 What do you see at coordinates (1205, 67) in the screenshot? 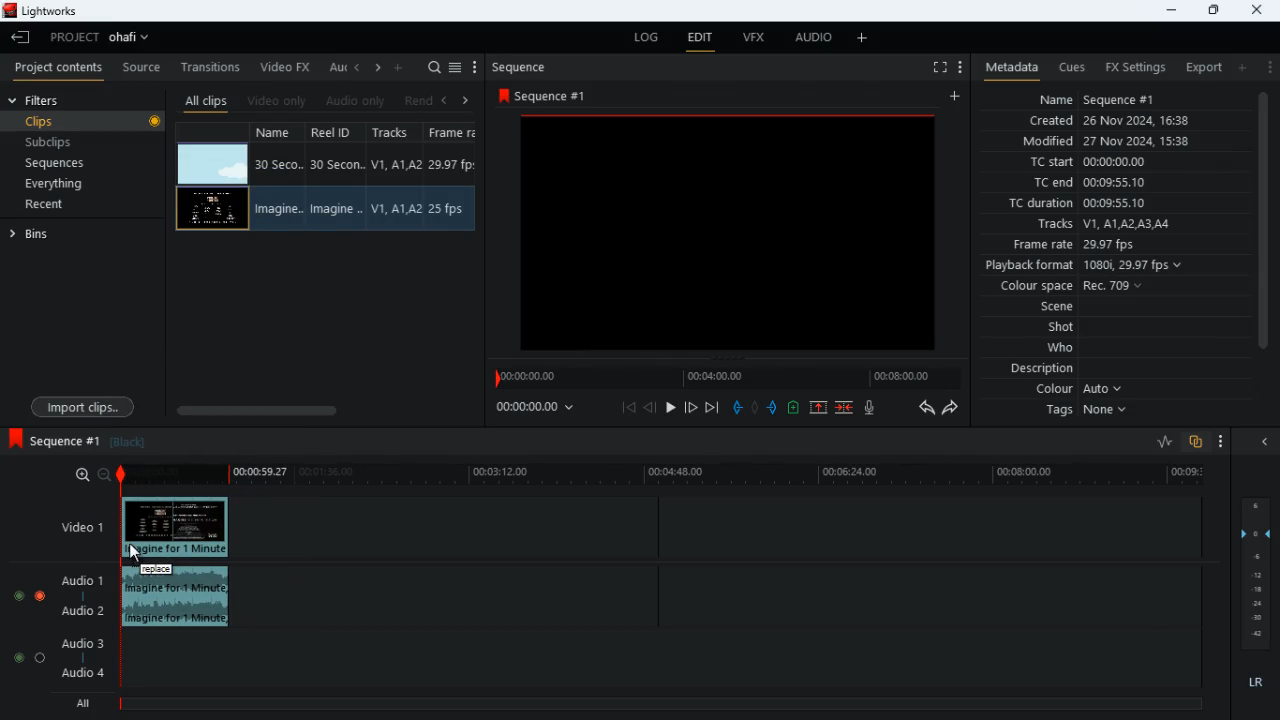
I see `export` at bounding box center [1205, 67].